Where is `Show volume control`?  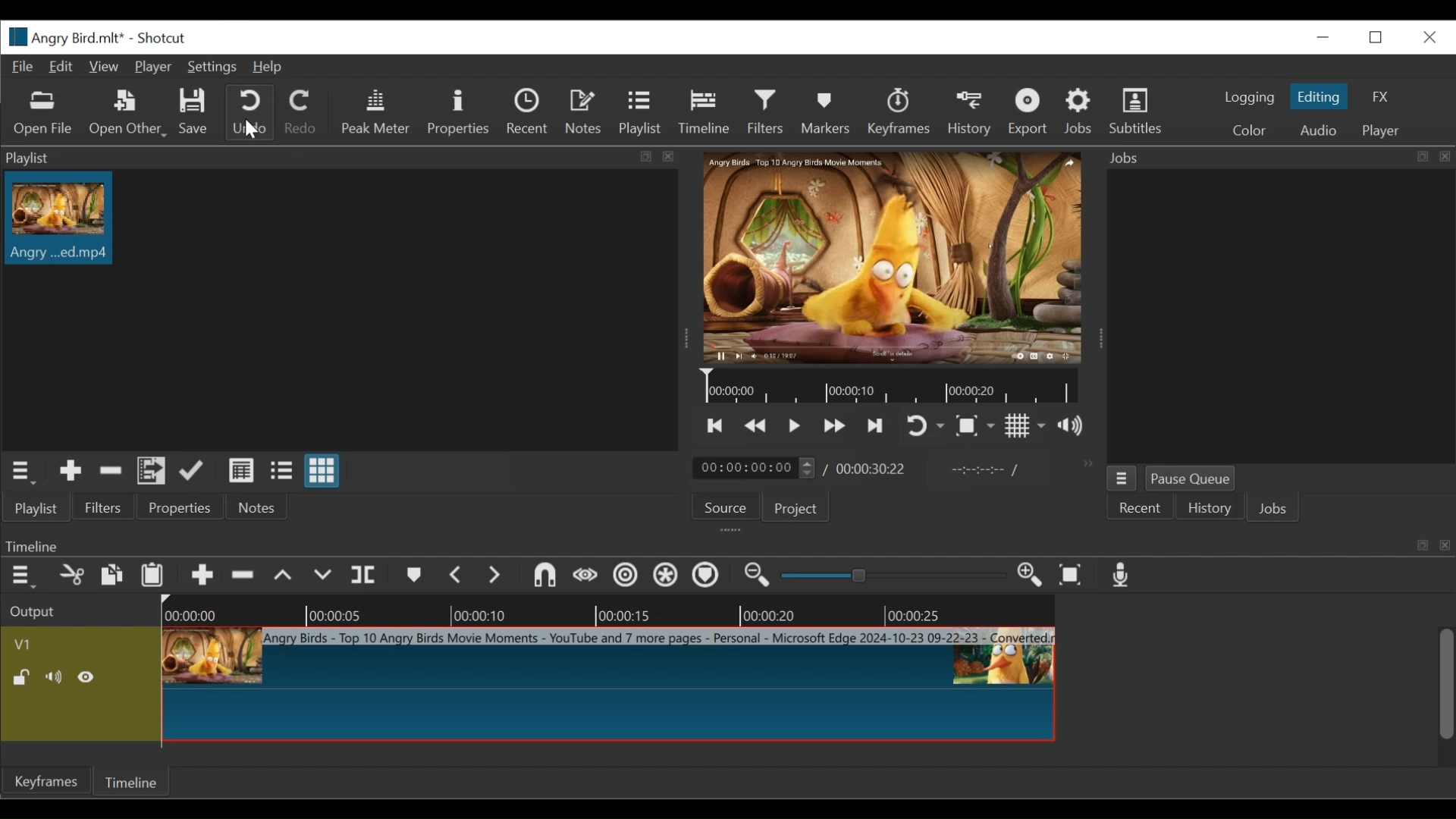 Show volume control is located at coordinates (1070, 425).